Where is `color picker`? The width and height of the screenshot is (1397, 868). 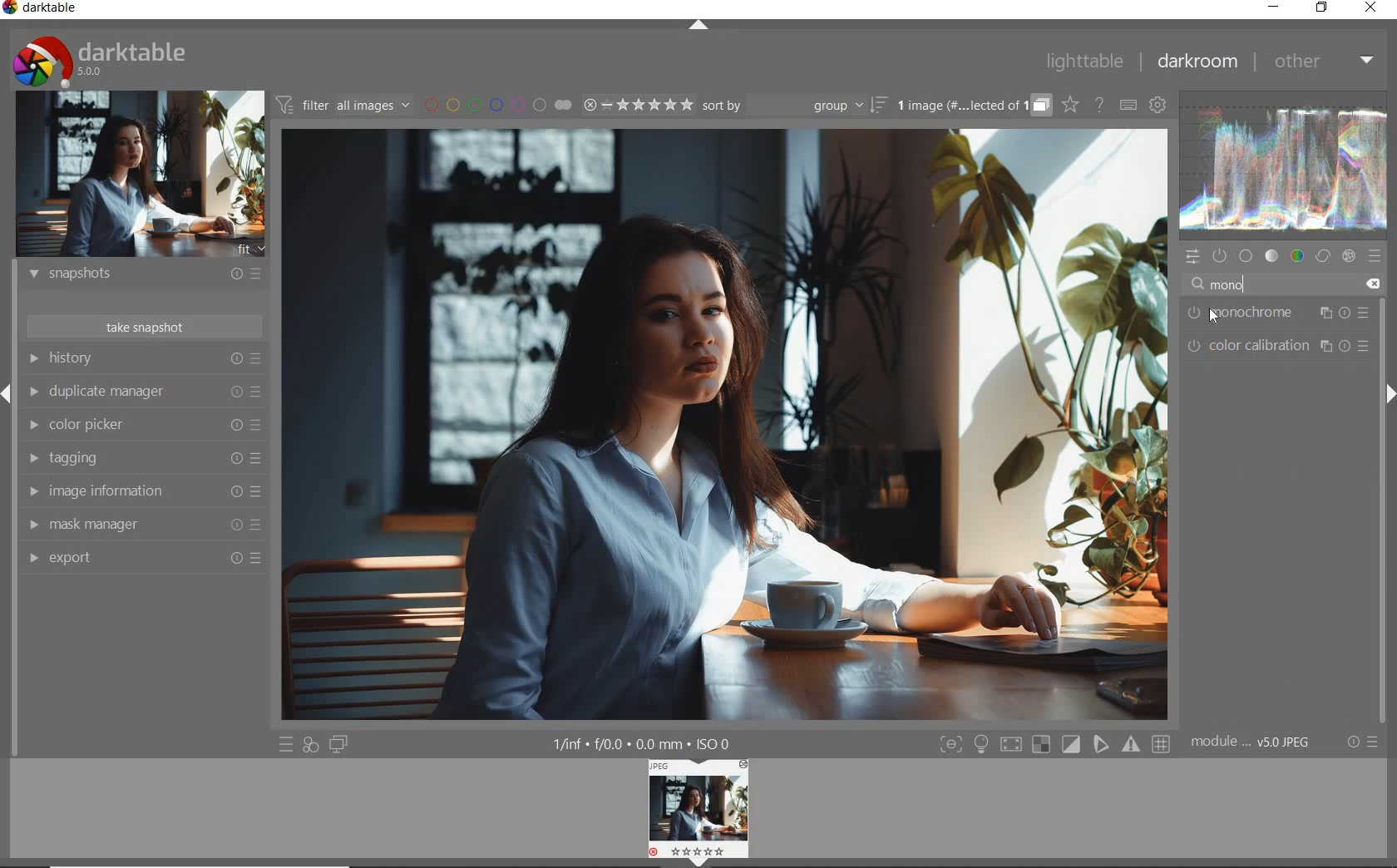 color picker is located at coordinates (142, 427).